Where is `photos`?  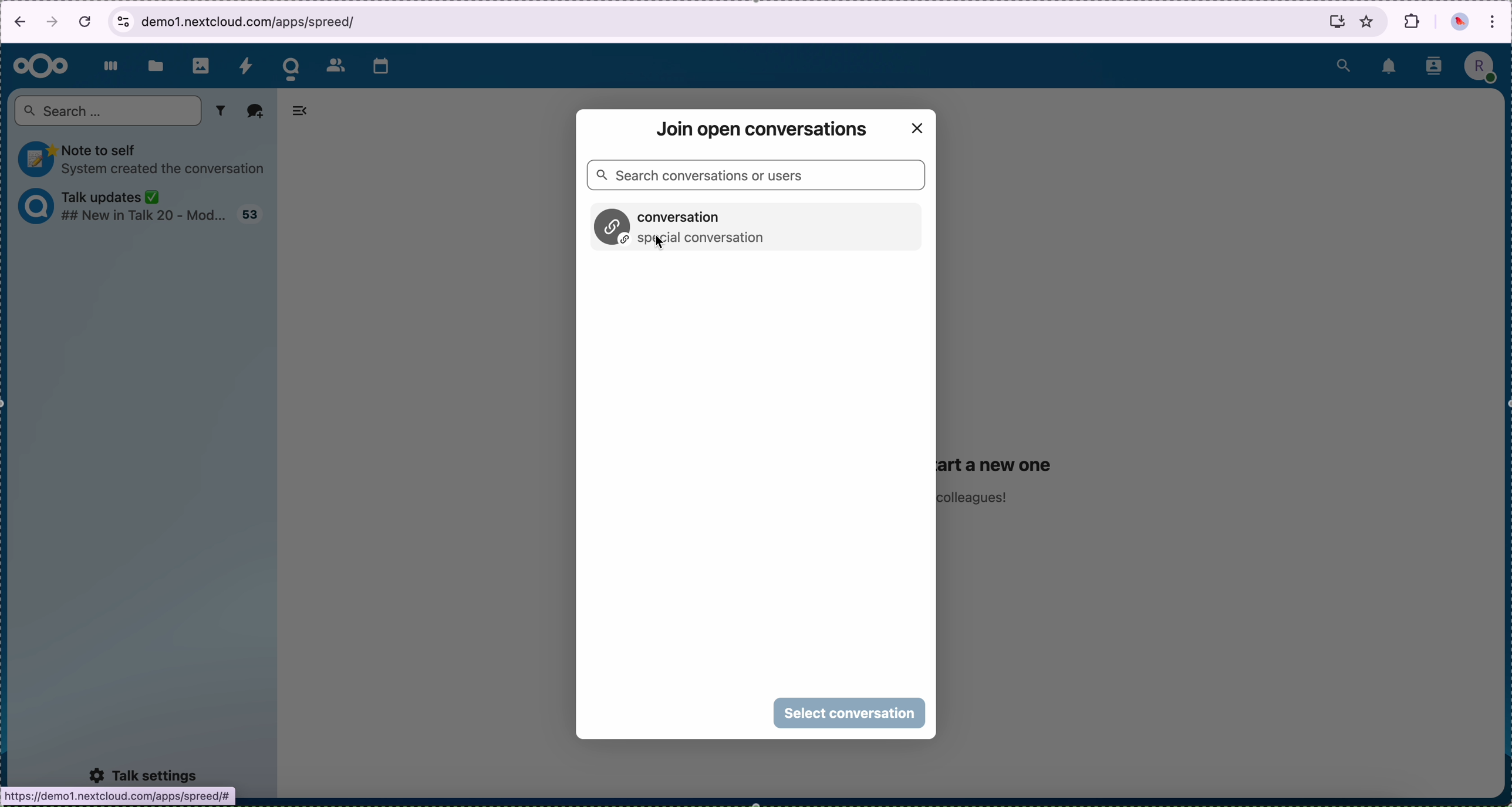 photos is located at coordinates (201, 64).